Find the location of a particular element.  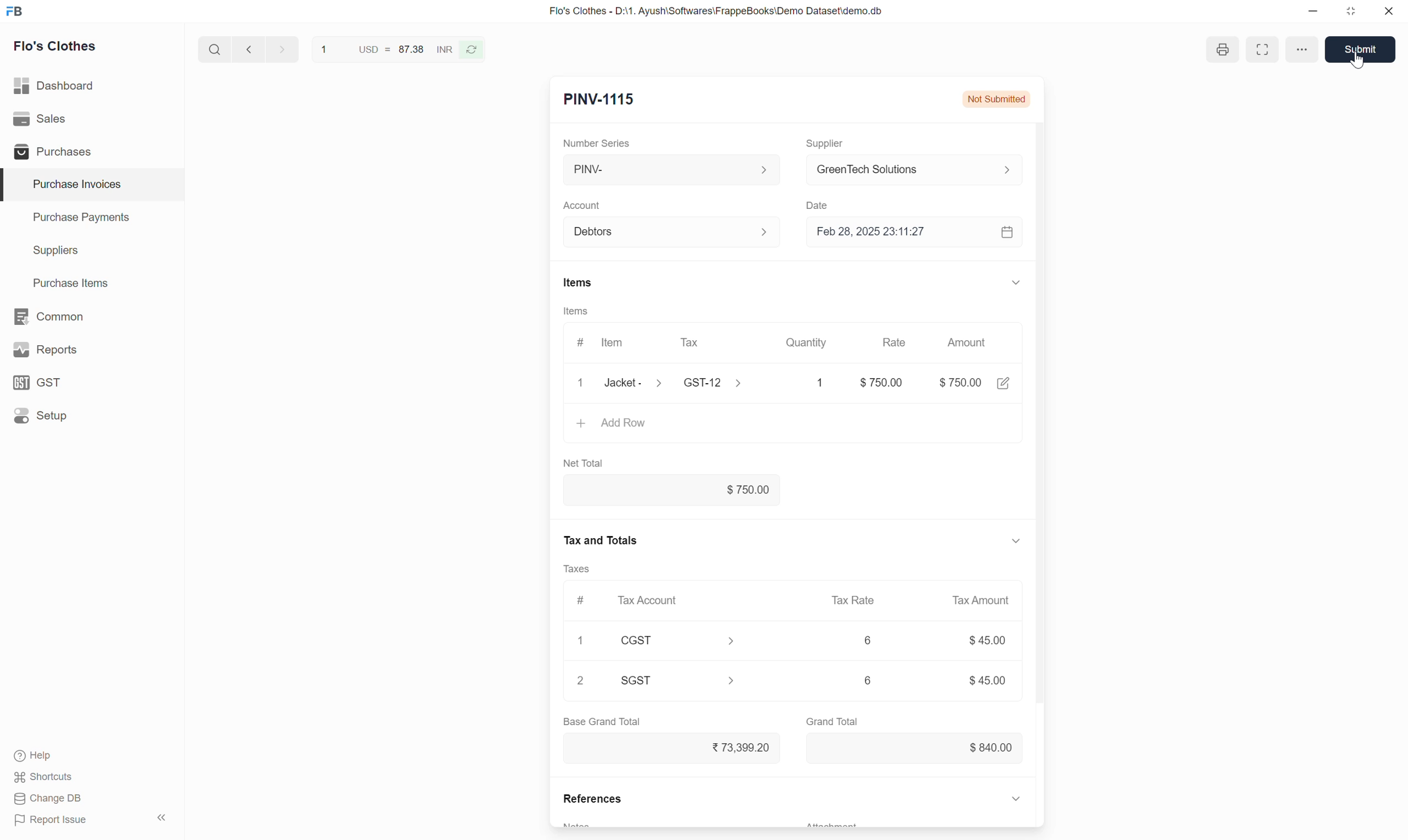

1 is located at coordinates (580, 640).